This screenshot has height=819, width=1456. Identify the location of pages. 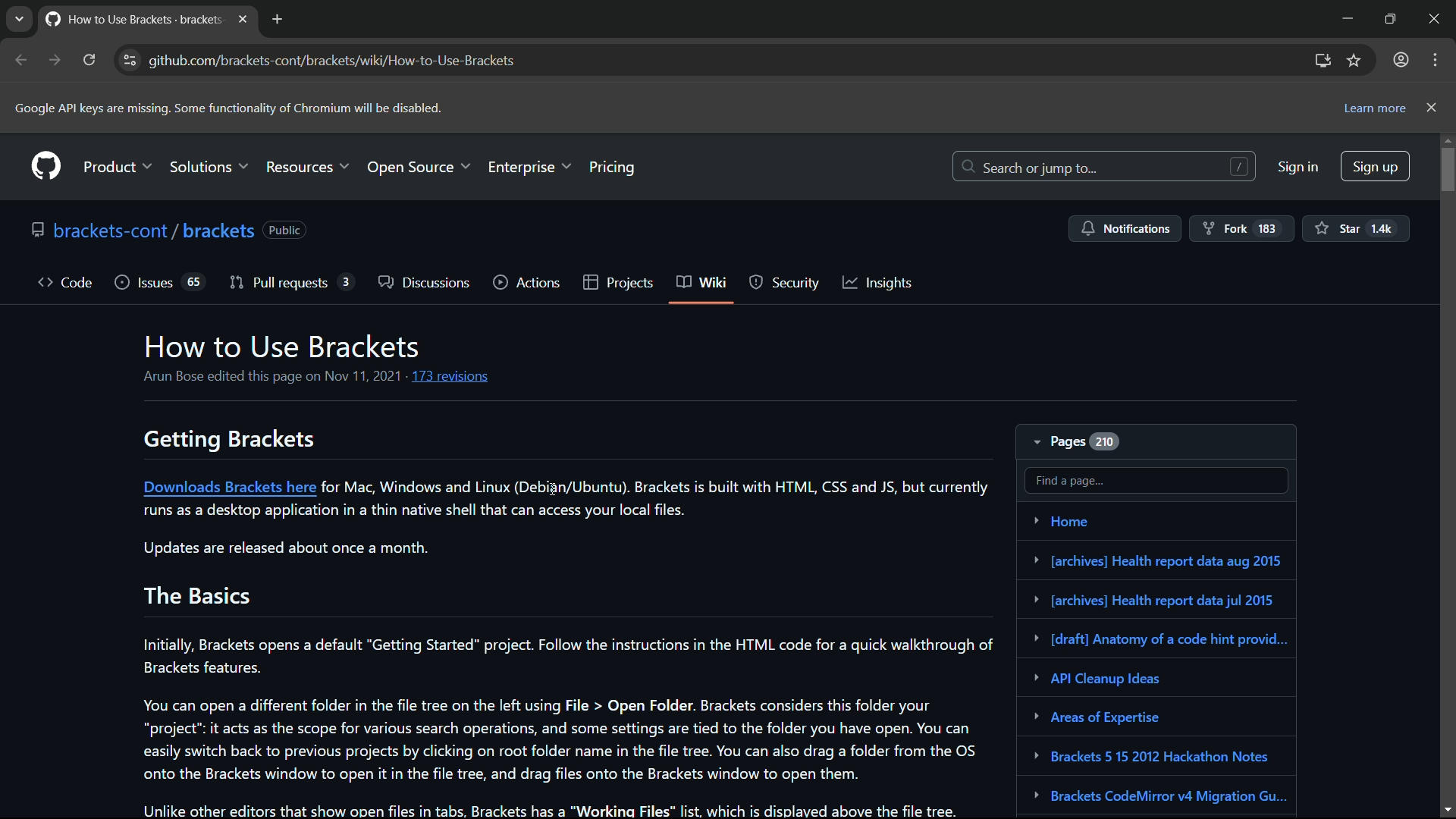
(1078, 441).